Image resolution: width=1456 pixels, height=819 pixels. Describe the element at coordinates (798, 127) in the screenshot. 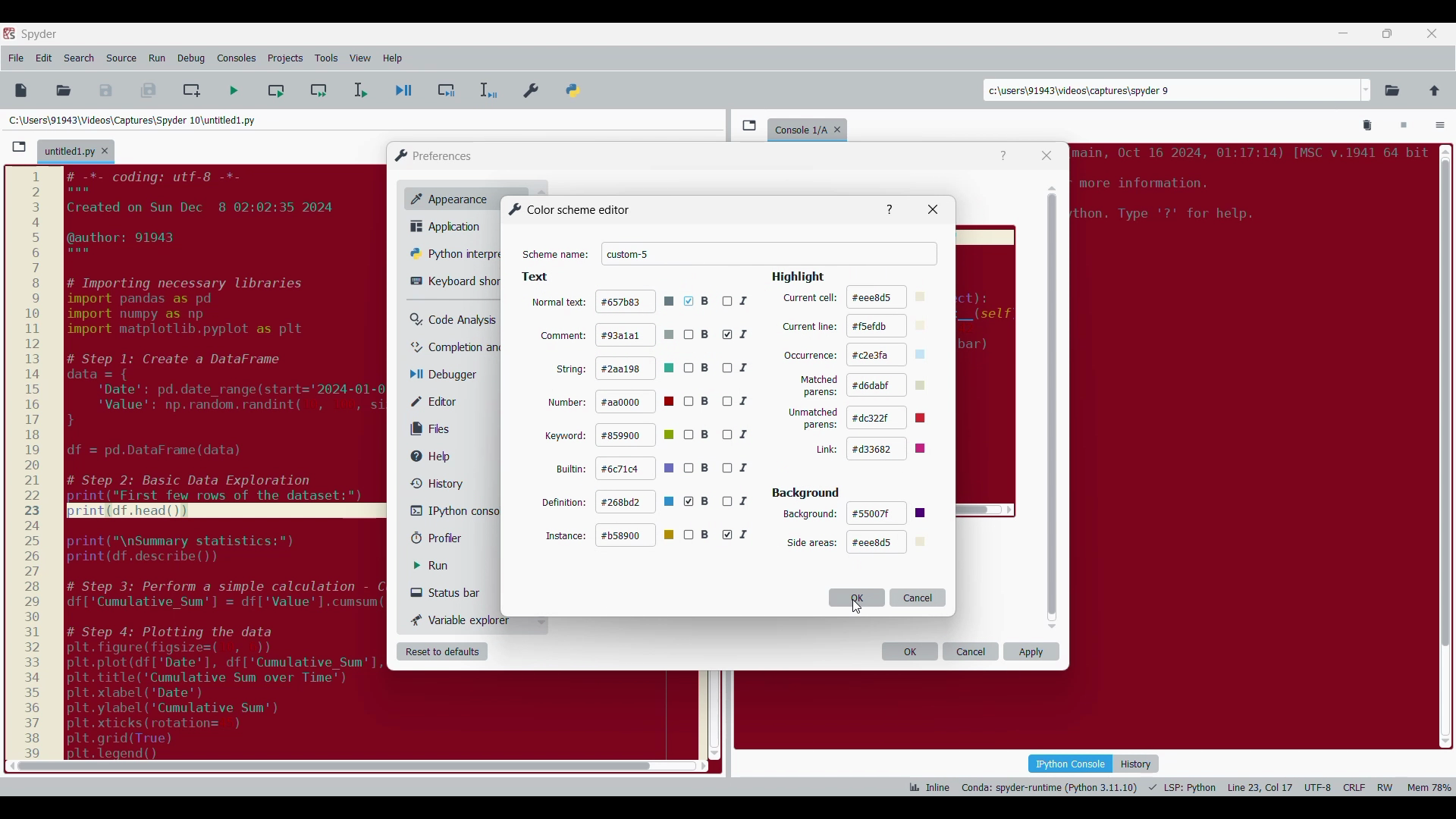

I see `console` at that location.